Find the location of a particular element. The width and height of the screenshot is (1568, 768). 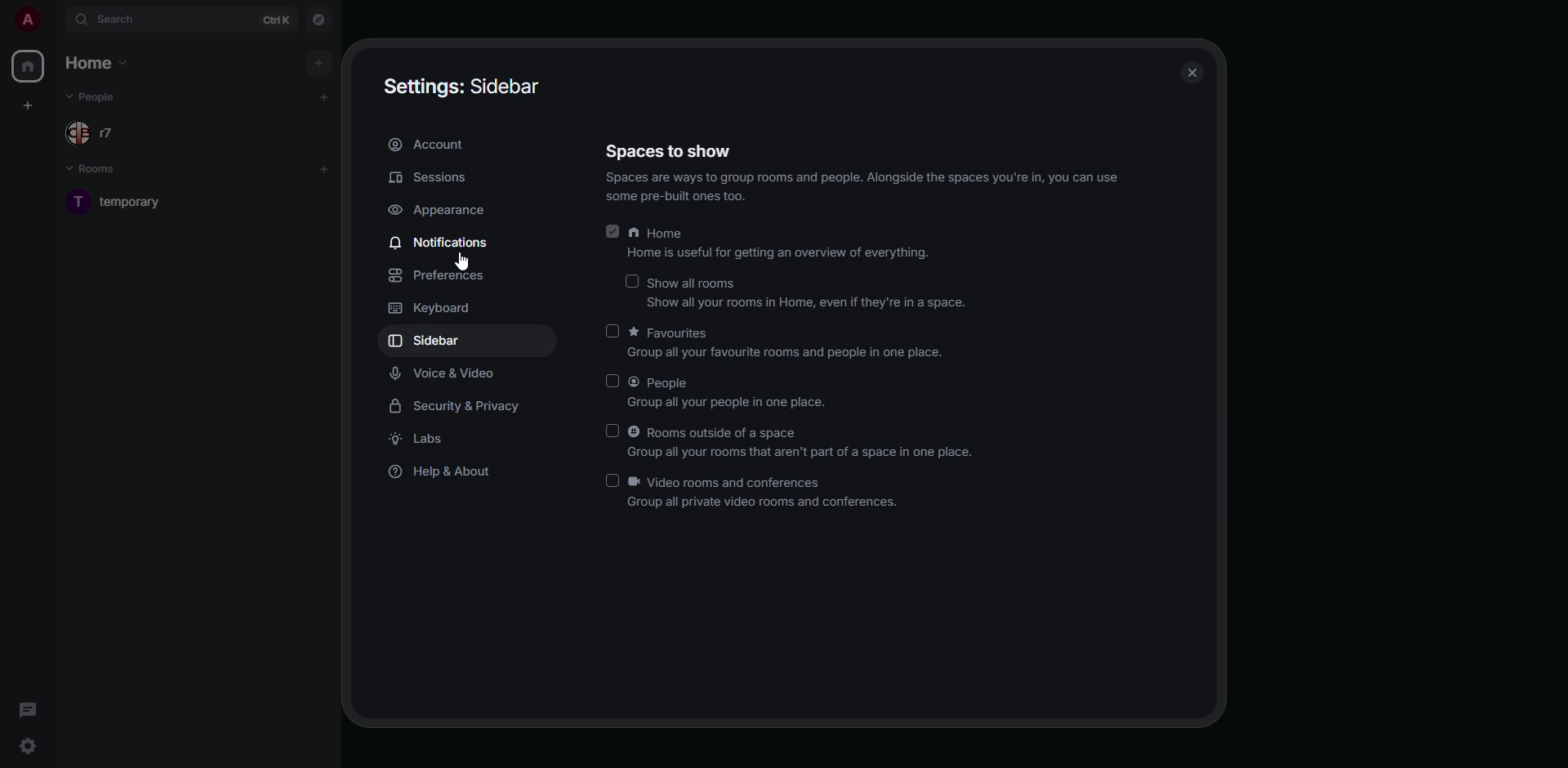

navigator is located at coordinates (317, 19).